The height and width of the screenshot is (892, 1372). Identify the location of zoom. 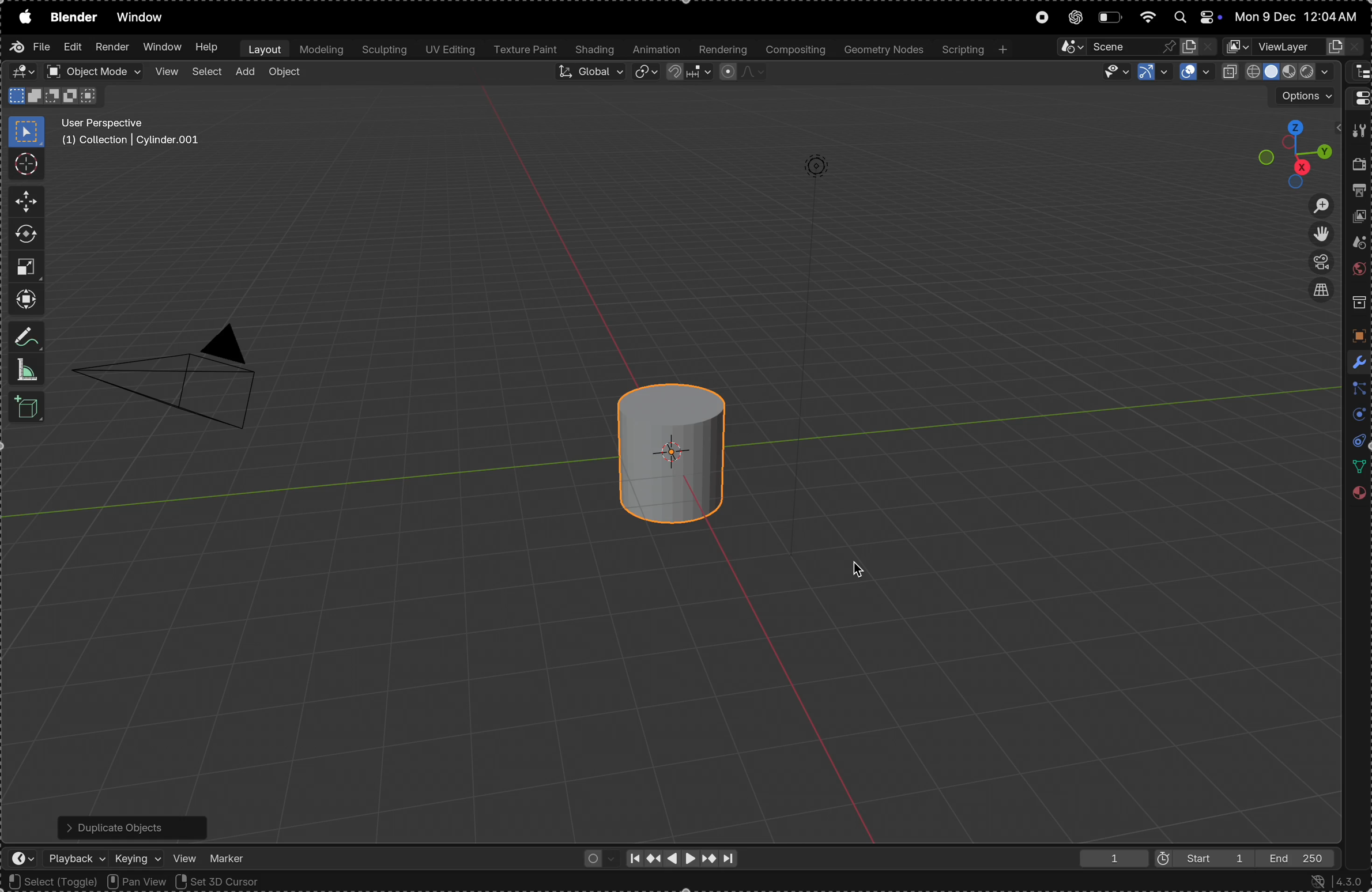
(1314, 205).